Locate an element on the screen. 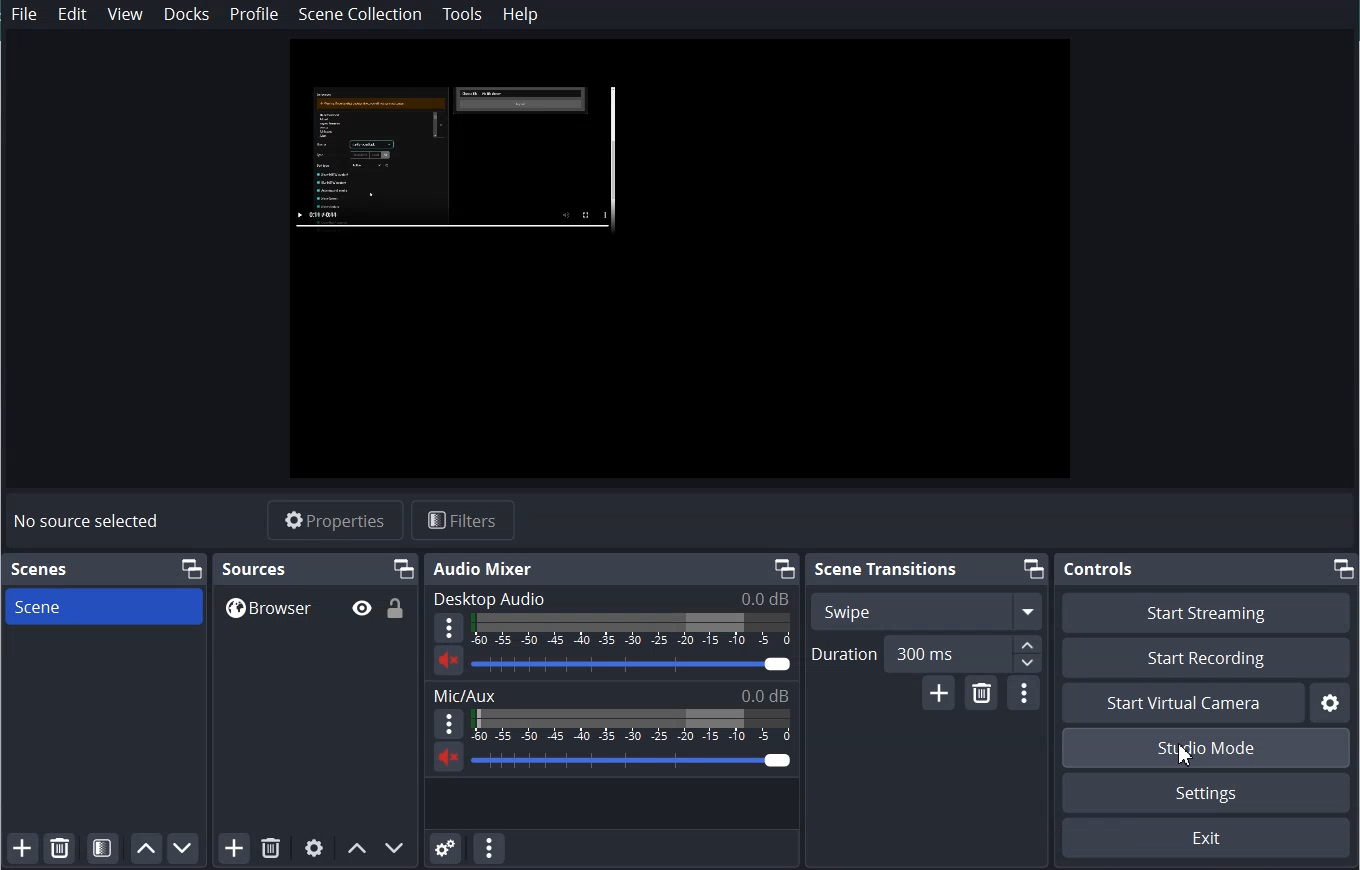  Maximize is located at coordinates (1344, 568).